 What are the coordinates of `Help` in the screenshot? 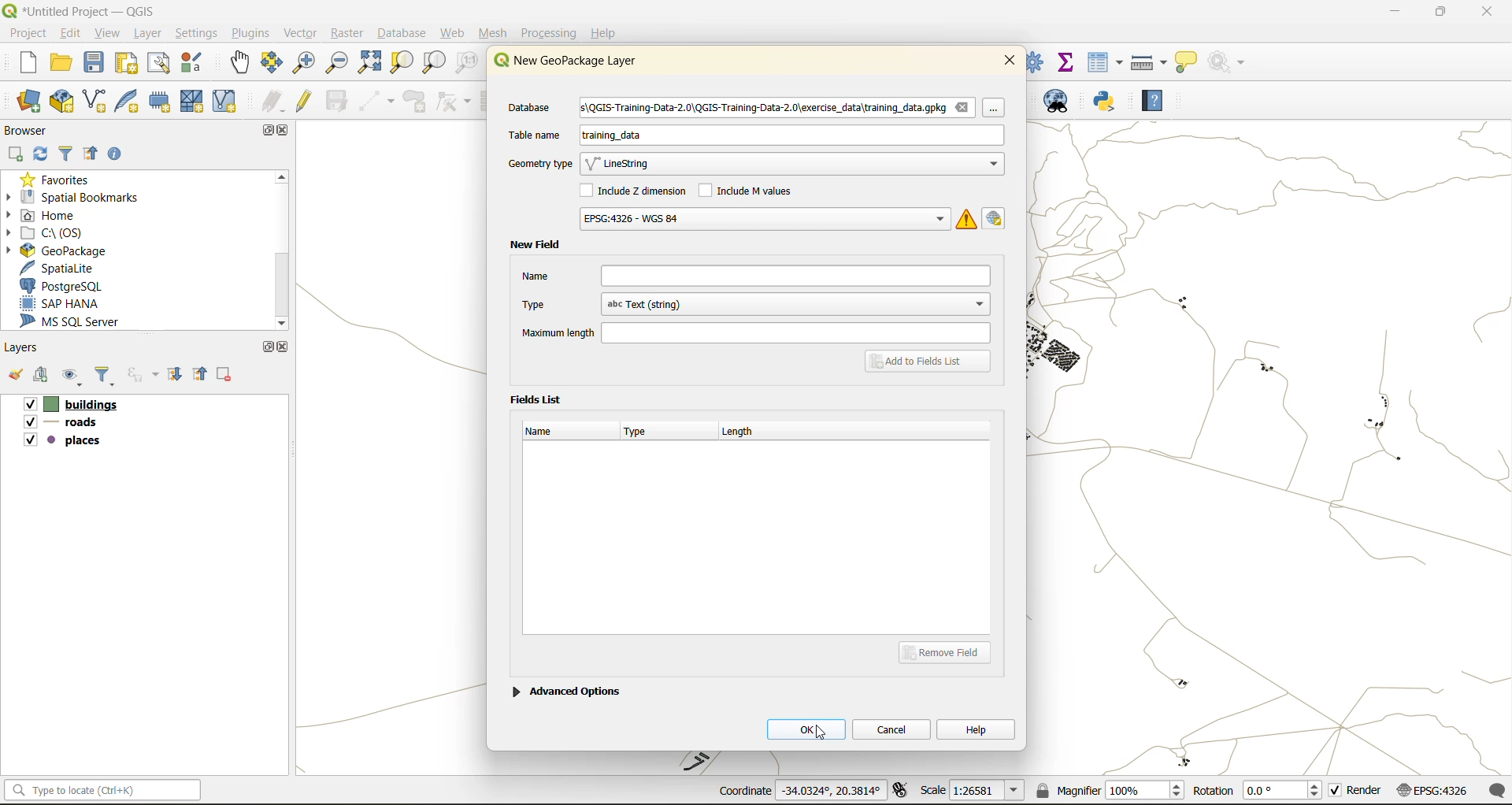 It's located at (604, 33).